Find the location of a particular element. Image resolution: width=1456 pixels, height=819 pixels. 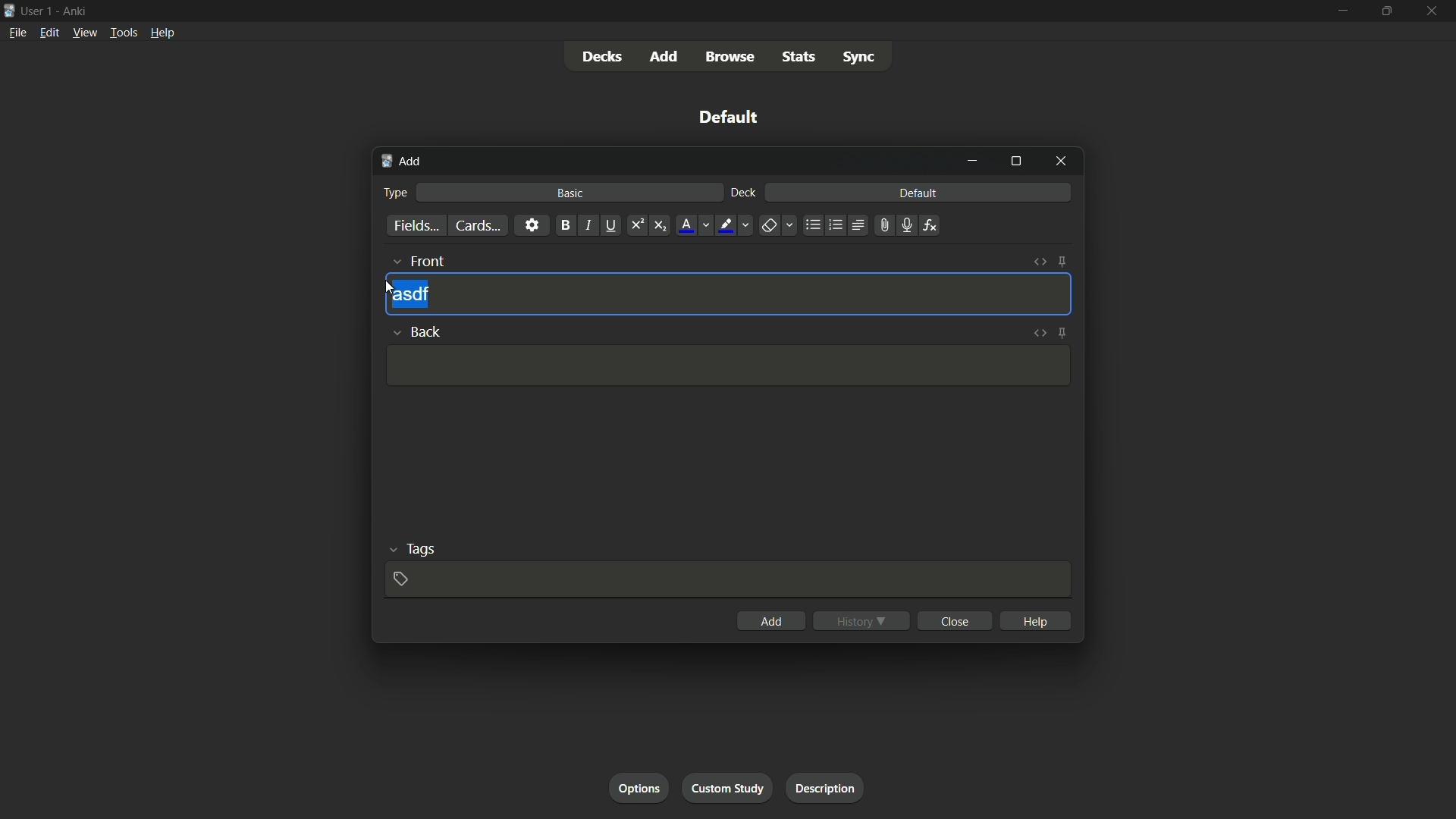

bold is located at coordinates (564, 225).